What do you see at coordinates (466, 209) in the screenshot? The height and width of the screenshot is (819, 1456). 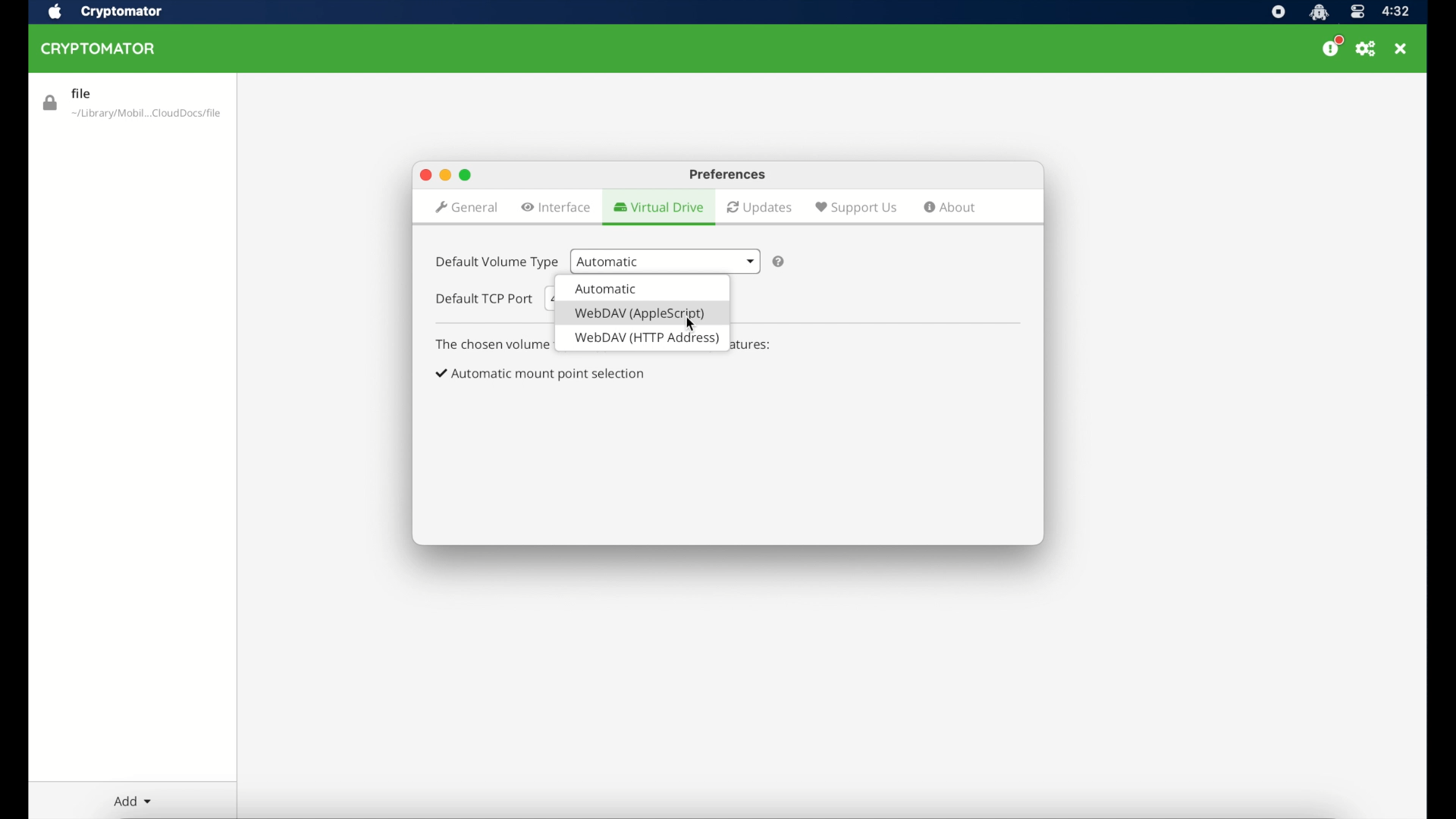 I see `general` at bounding box center [466, 209].